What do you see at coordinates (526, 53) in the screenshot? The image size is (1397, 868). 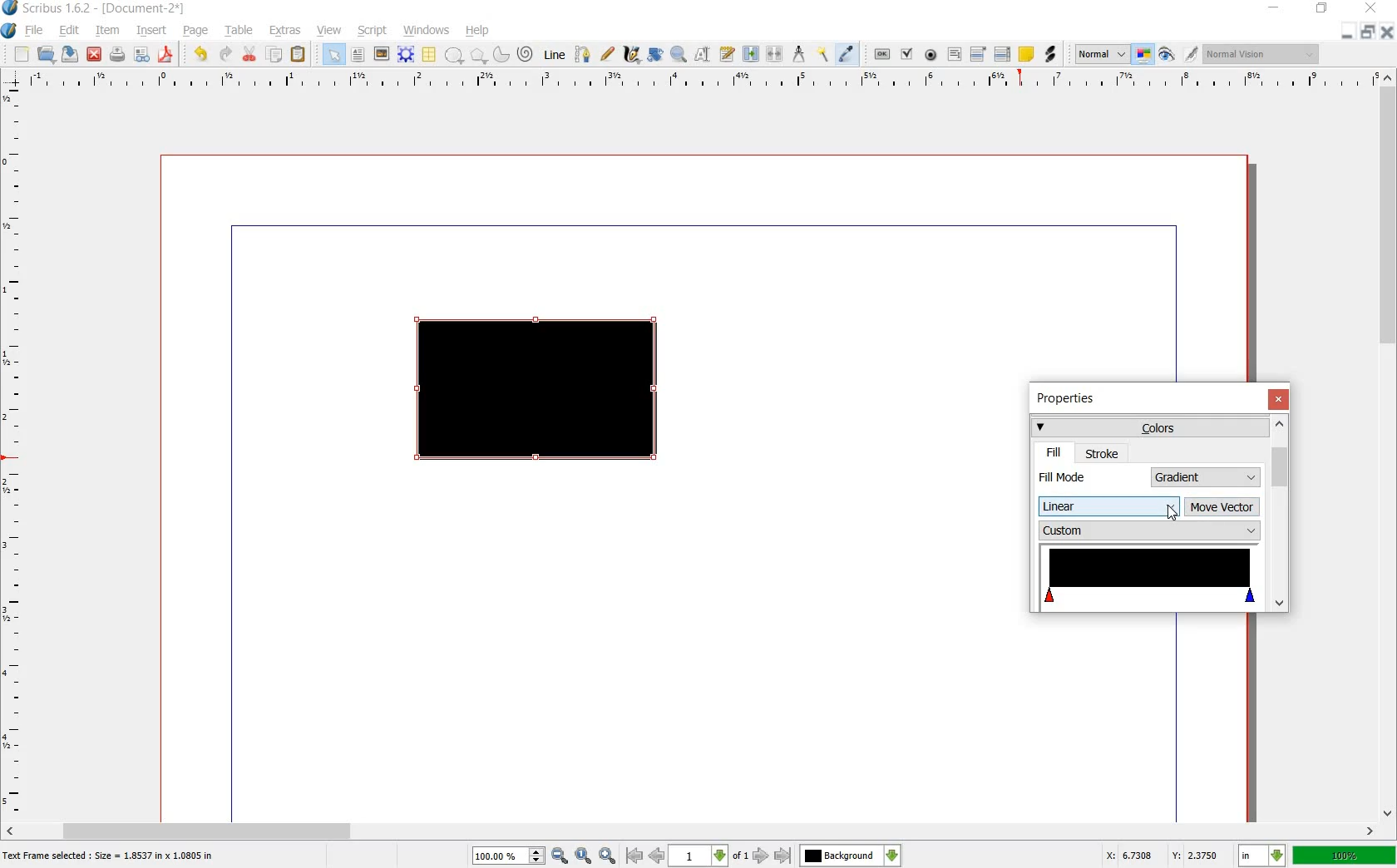 I see `spiral` at bounding box center [526, 53].